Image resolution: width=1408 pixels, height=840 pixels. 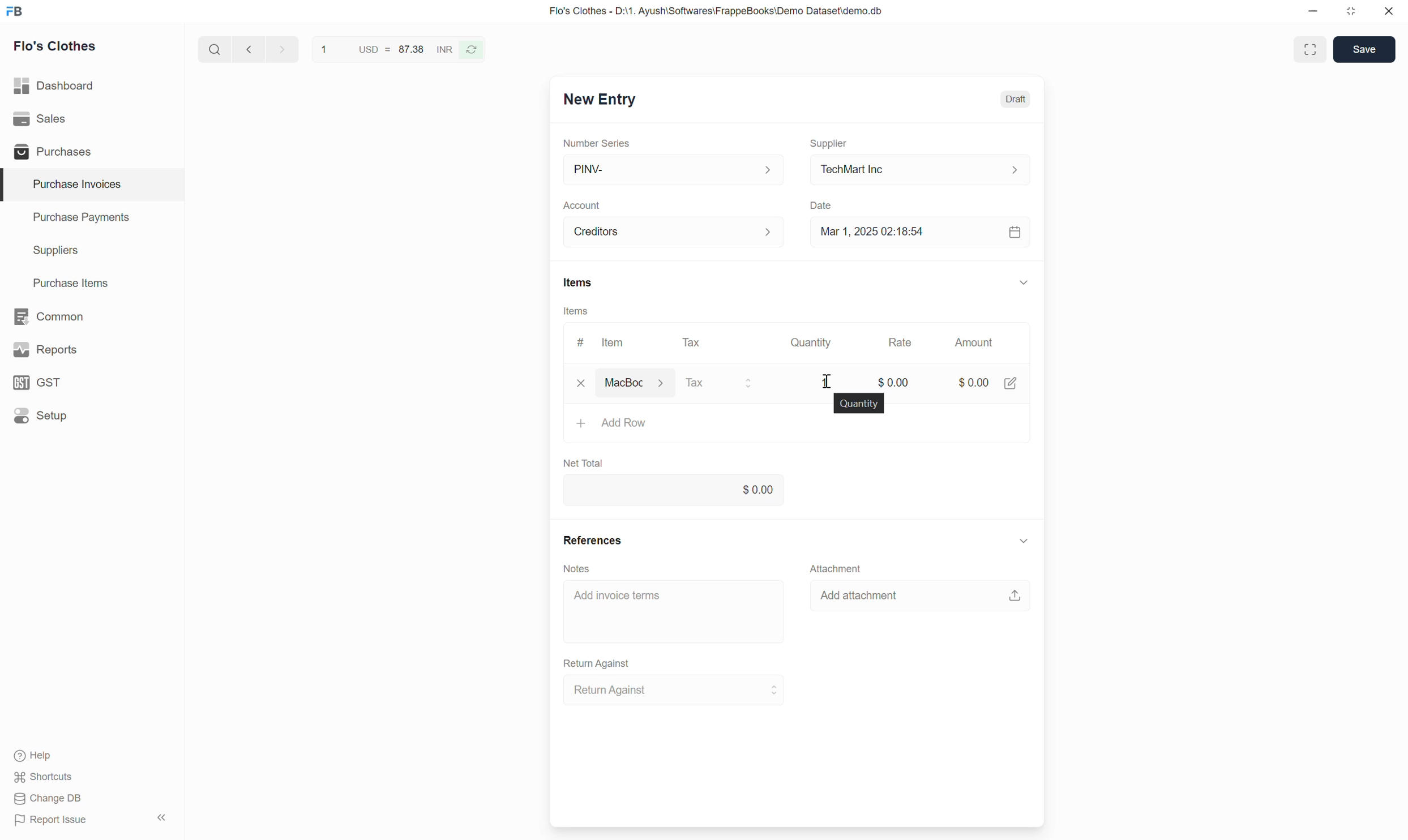 What do you see at coordinates (821, 380) in the screenshot?
I see `1` at bounding box center [821, 380].